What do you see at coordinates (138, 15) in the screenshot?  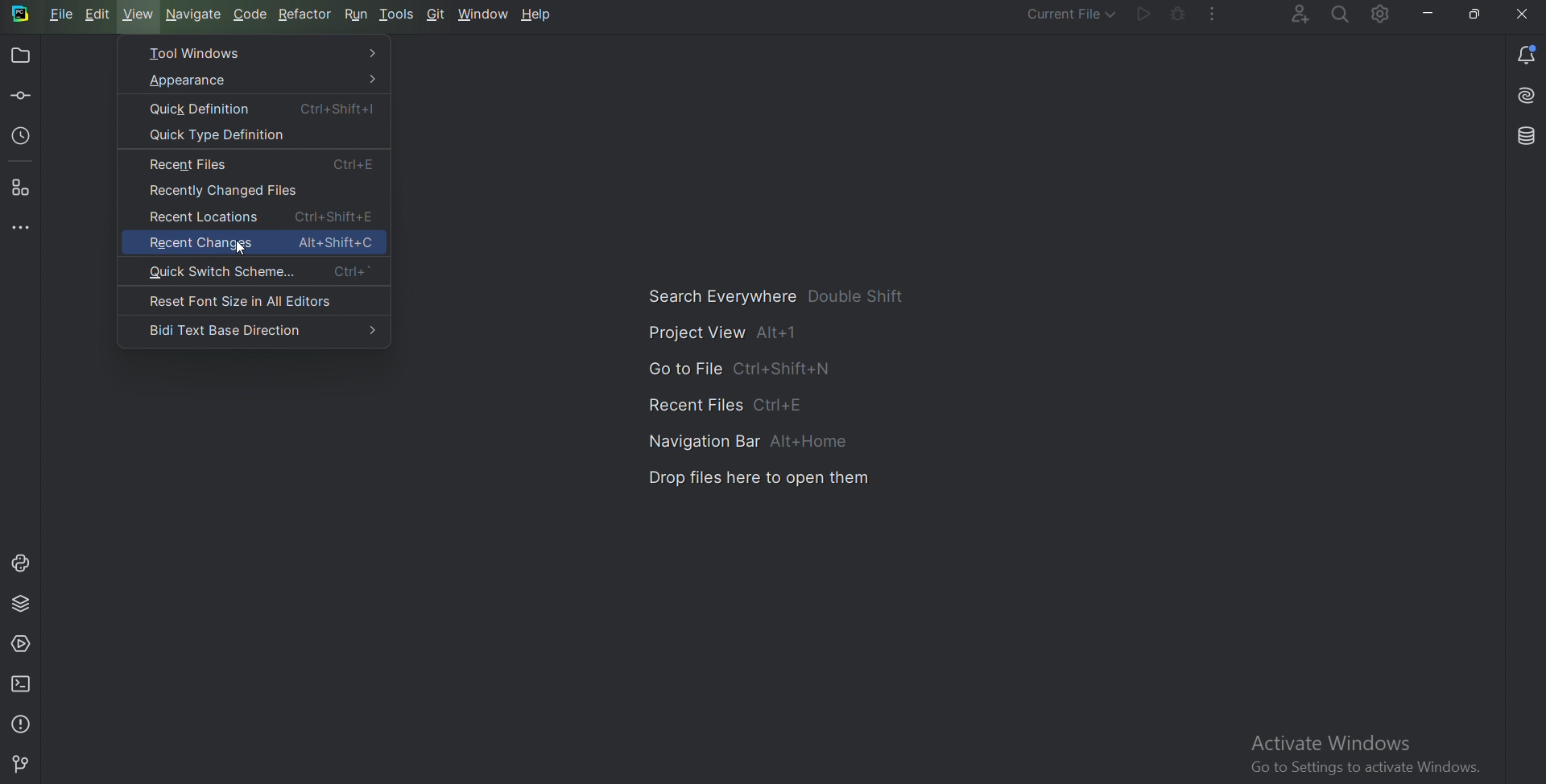 I see `view` at bounding box center [138, 15].